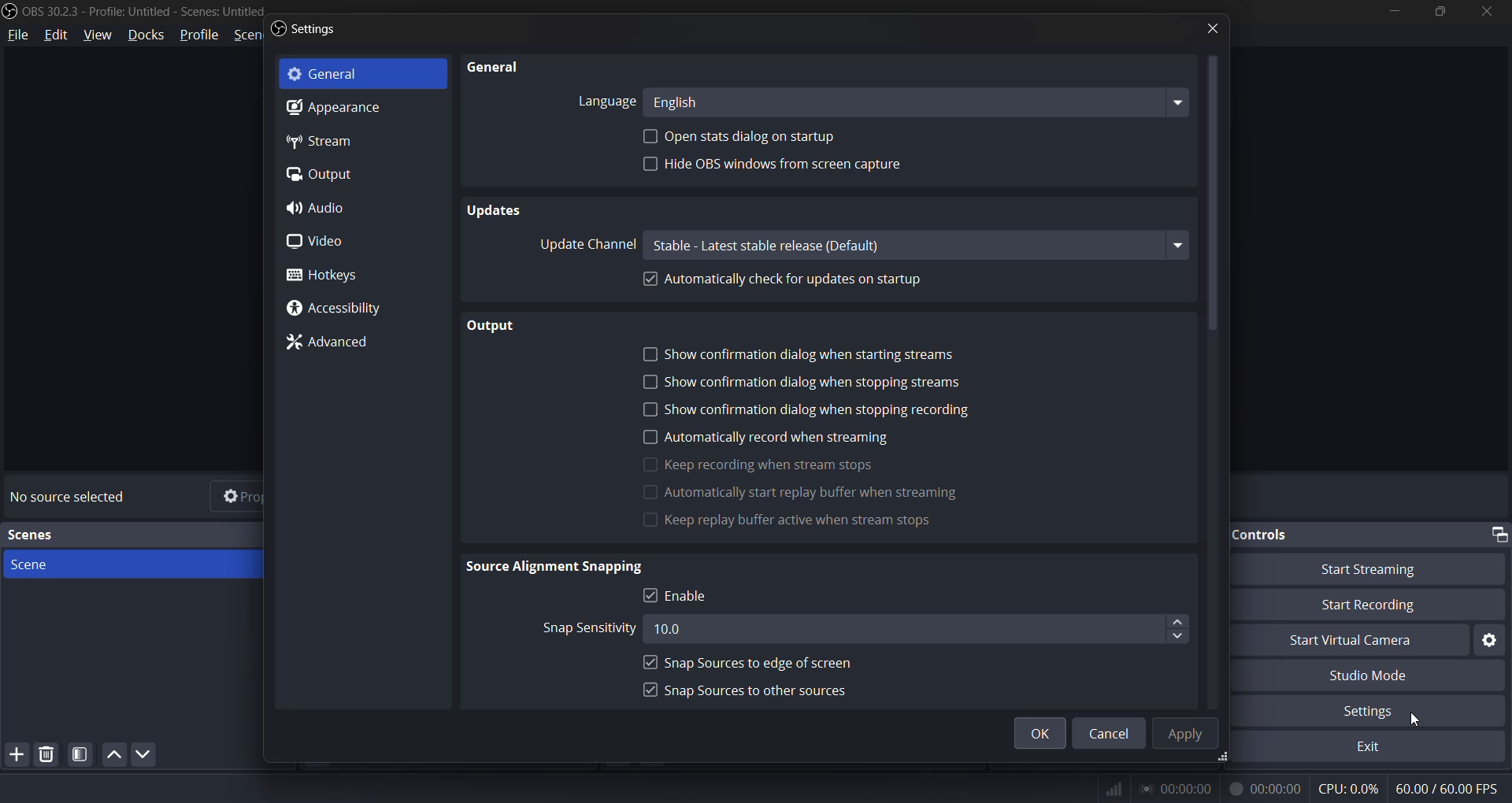 The width and height of the screenshot is (1512, 803). What do you see at coordinates (329, 75) in the screenshot?
I see `general` at bounding box center [329, 75].